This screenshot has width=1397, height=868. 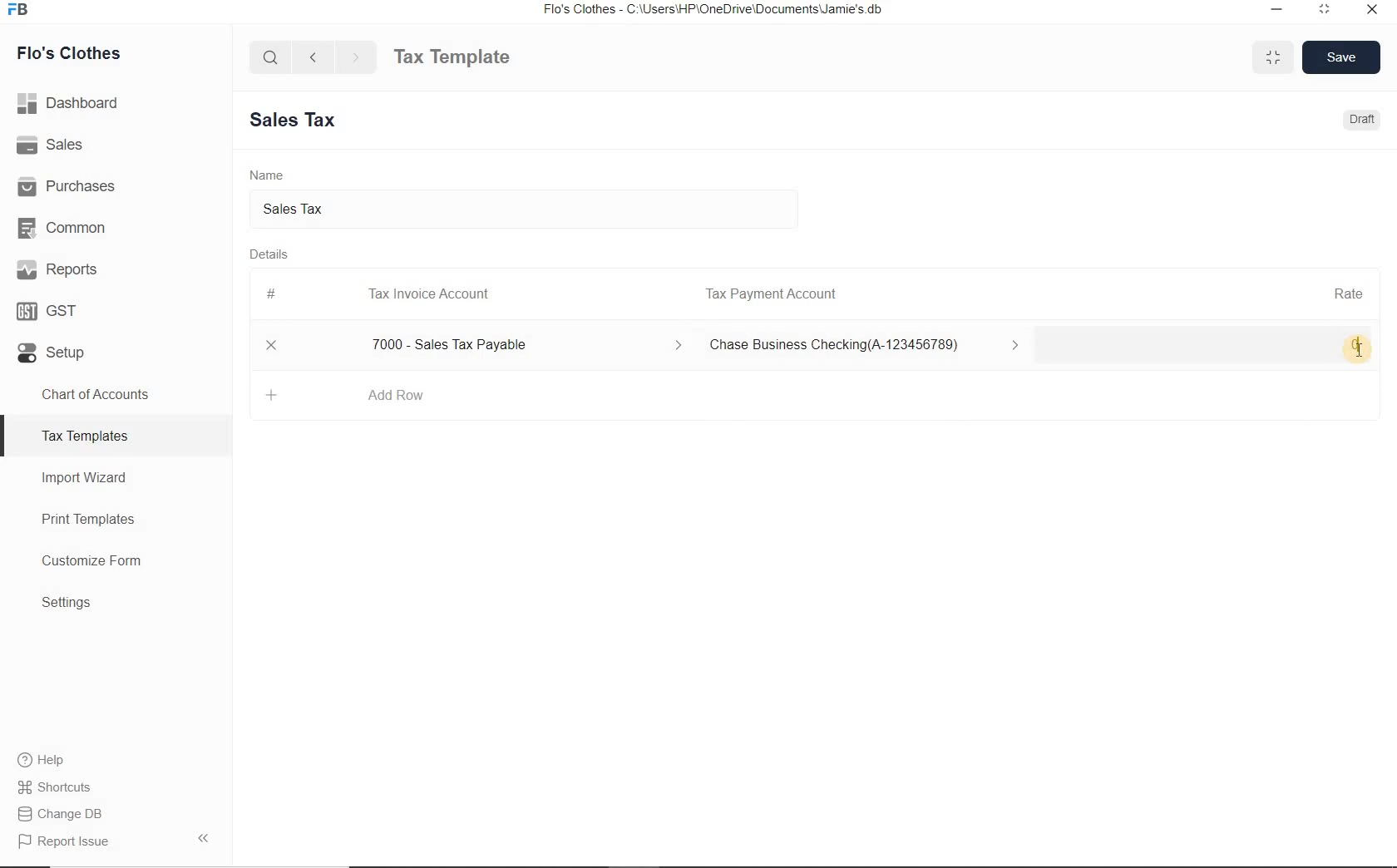 What do you see at coordinates (269, 254) in the screenshot?
I see `Details` at bounding box center [269, 254].